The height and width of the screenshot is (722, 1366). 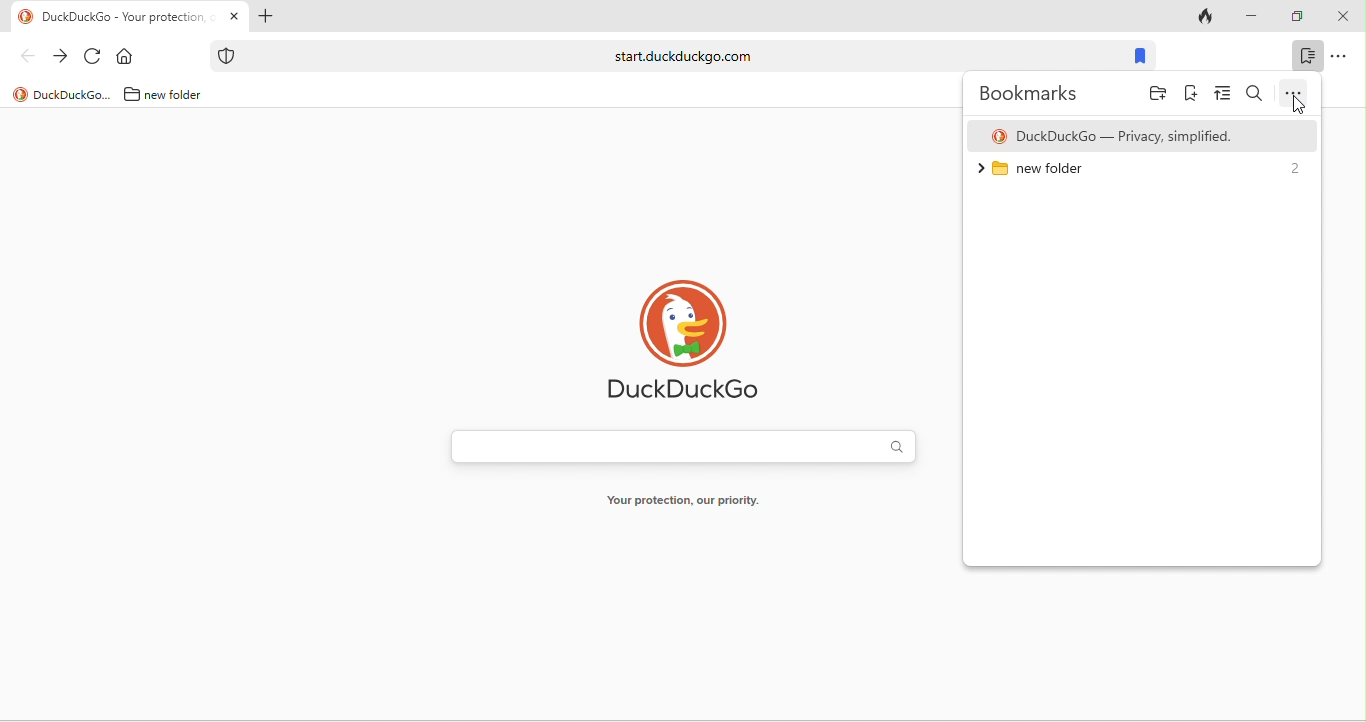 What do you see at coordinates (1158, 96) in the screenshot?
I see `folder` at bounding box center [1158, 96].